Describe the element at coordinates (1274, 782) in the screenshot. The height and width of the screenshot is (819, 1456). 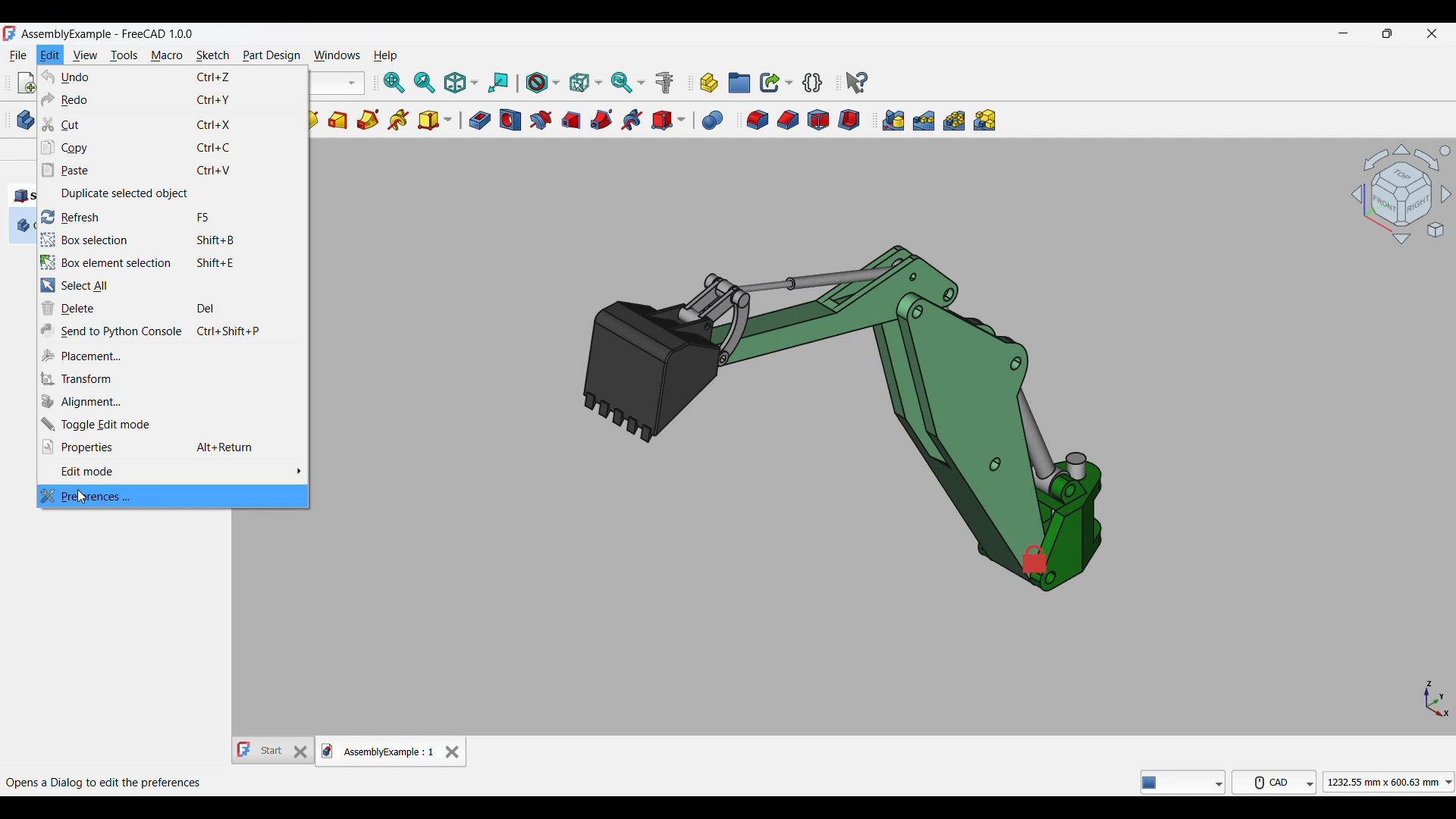
I see `CAD navigation style options` at that location.